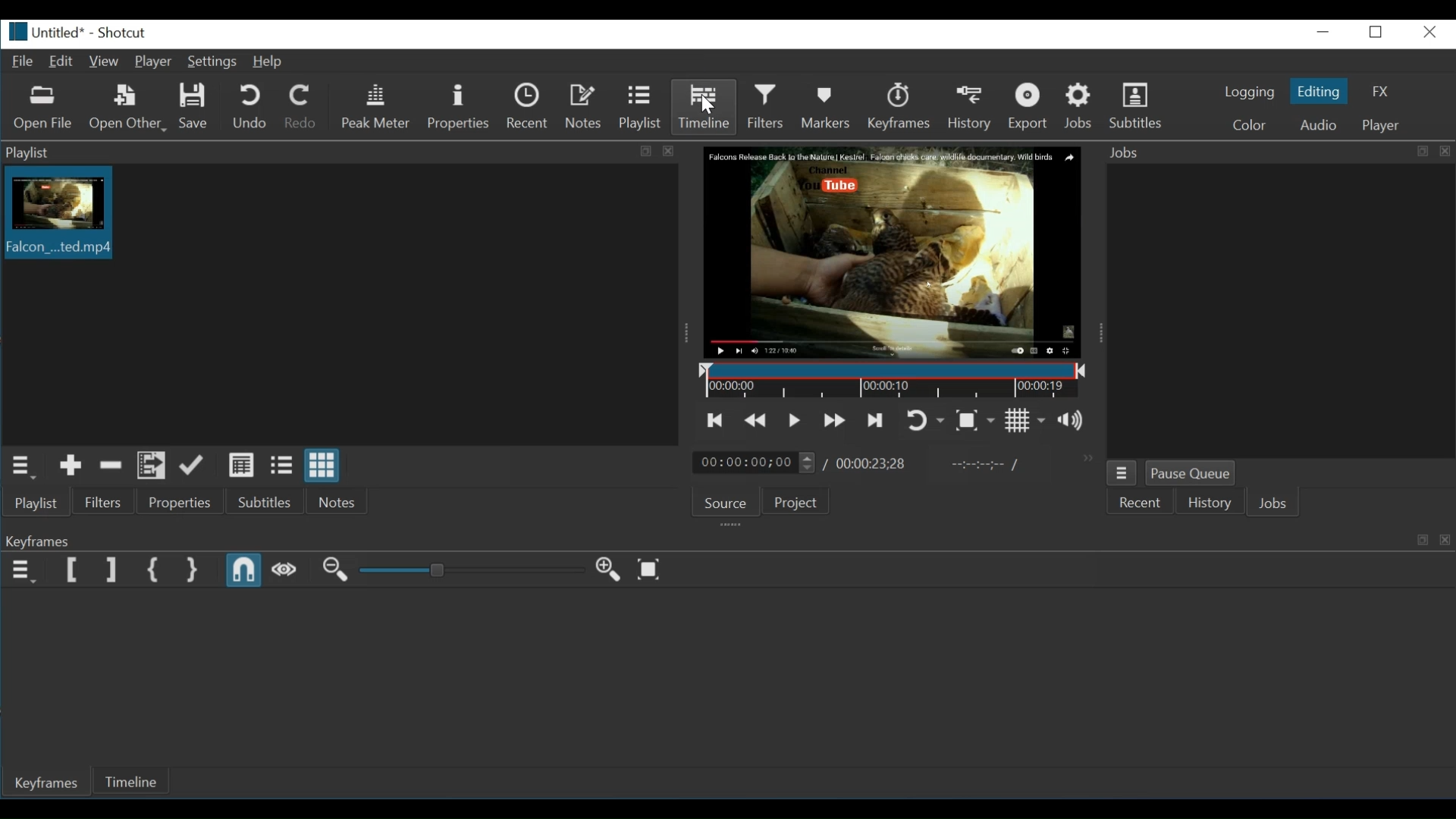  Describe the element at coordinates (1034, 106) in the screenshot. I see `Export` at that location.